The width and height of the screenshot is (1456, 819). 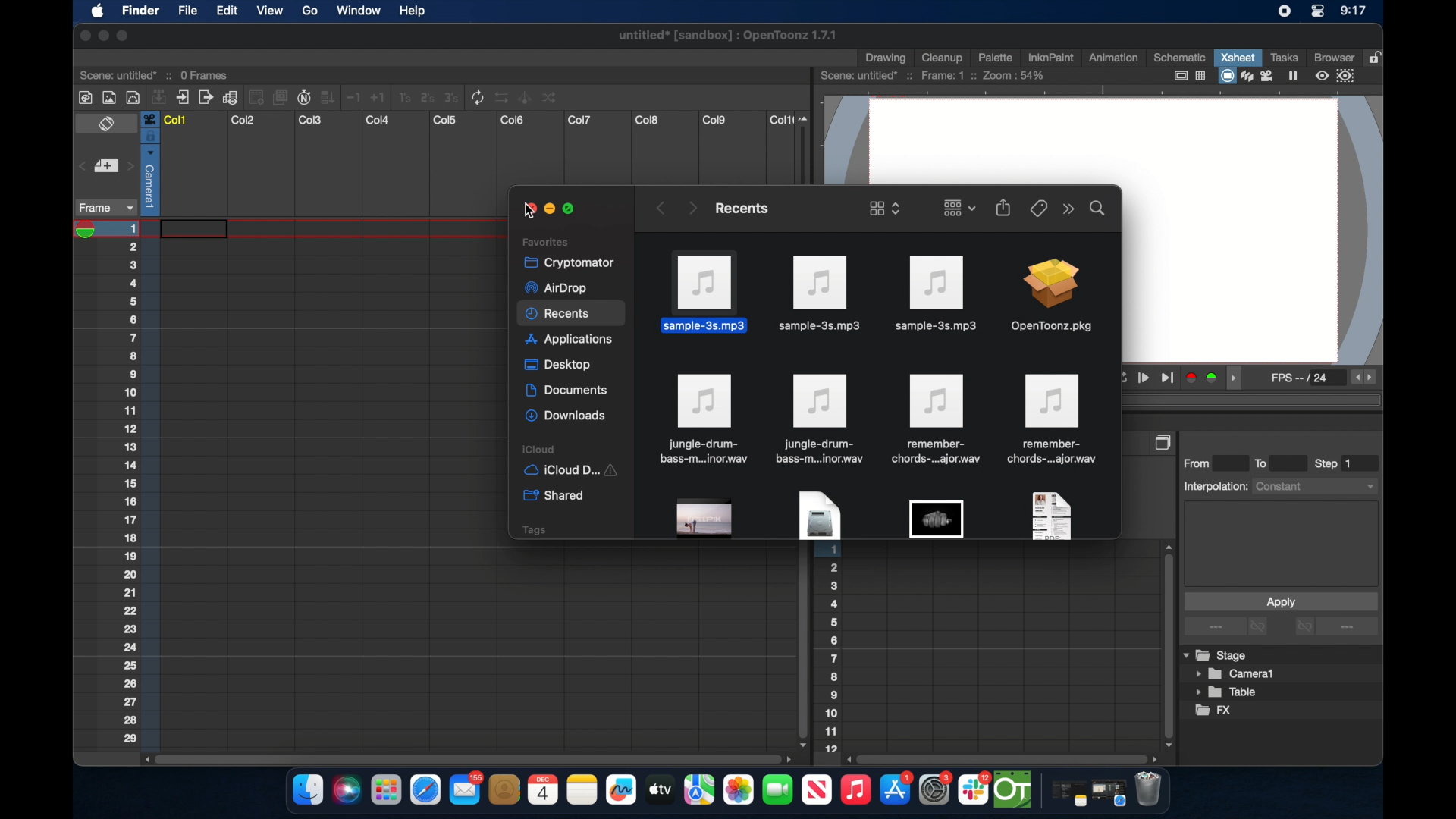 What do you see at coordinates (778, 788) in the screenshot?
I see `facetime` at bounding box center [778, 788].